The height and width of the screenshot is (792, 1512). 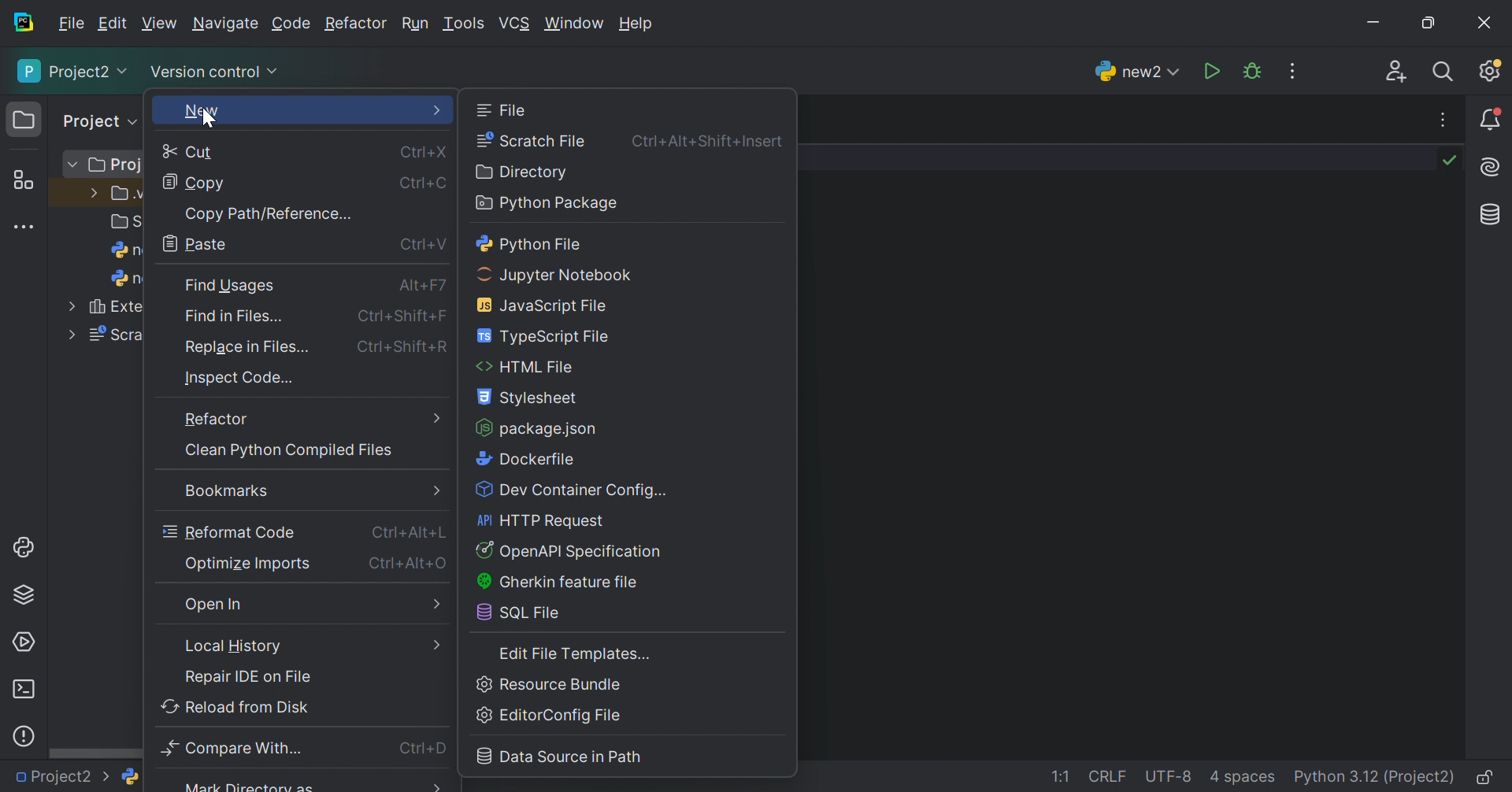 I want to click on More, so click(x=435, y=608).